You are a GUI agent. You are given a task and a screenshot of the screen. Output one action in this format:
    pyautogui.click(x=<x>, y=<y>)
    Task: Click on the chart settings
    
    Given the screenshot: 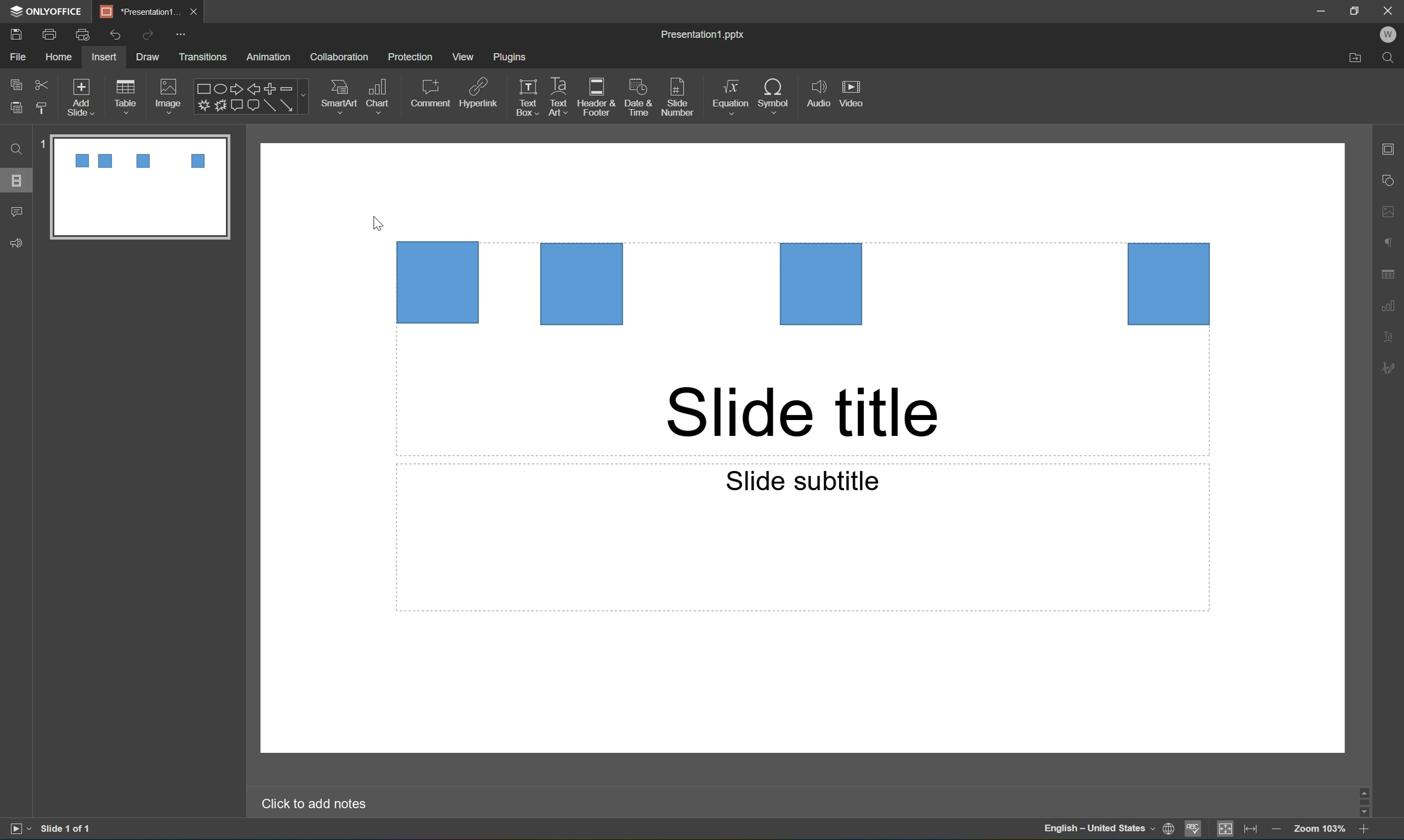 What is the action you would take?
    pyautogui.click(x=1393, y=304)
    